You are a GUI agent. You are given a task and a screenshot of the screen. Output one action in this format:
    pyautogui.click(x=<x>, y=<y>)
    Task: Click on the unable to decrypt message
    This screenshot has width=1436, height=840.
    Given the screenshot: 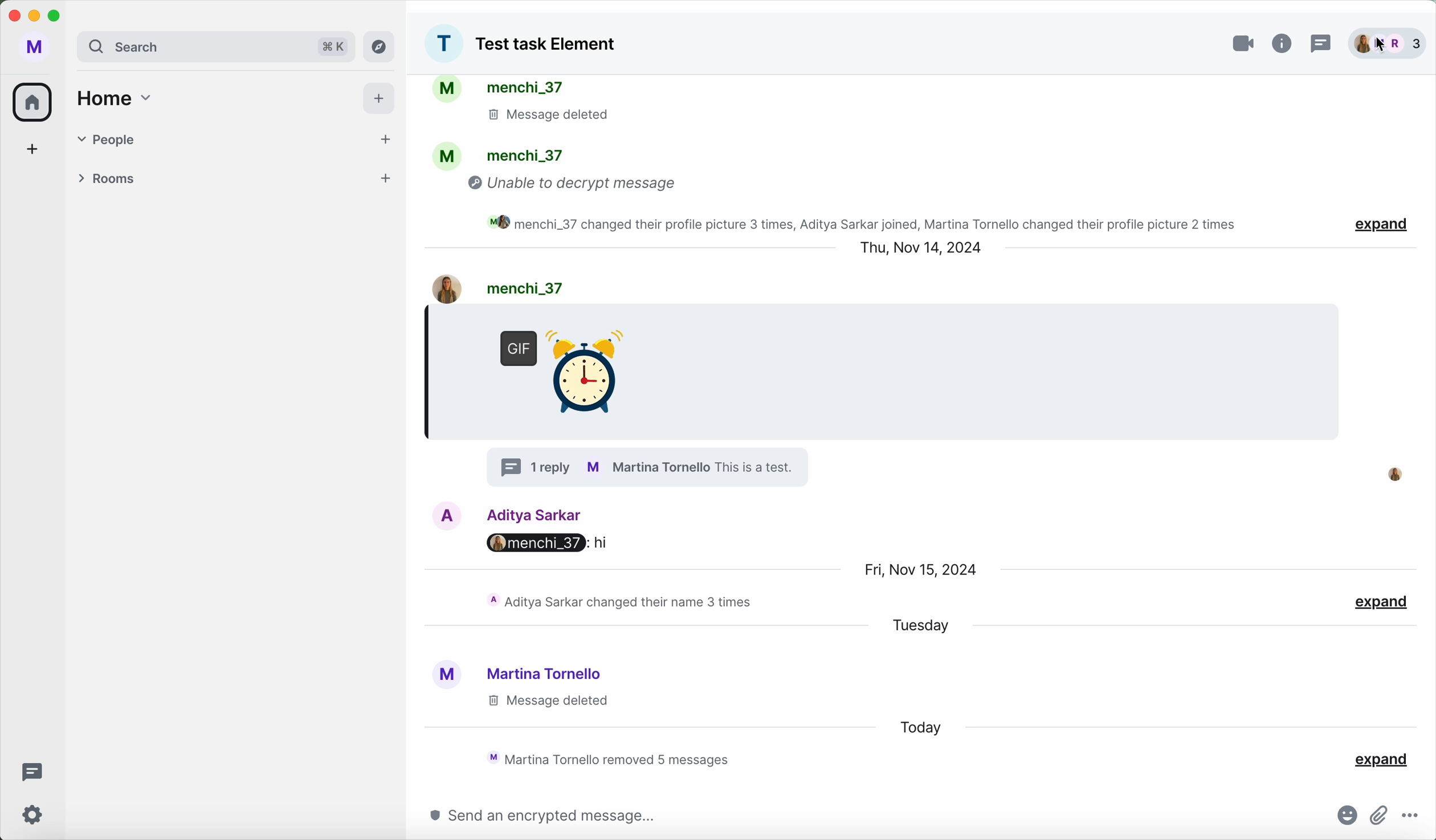 What is the action you would take?
    pyautogui.click(x=577, y=185)
    